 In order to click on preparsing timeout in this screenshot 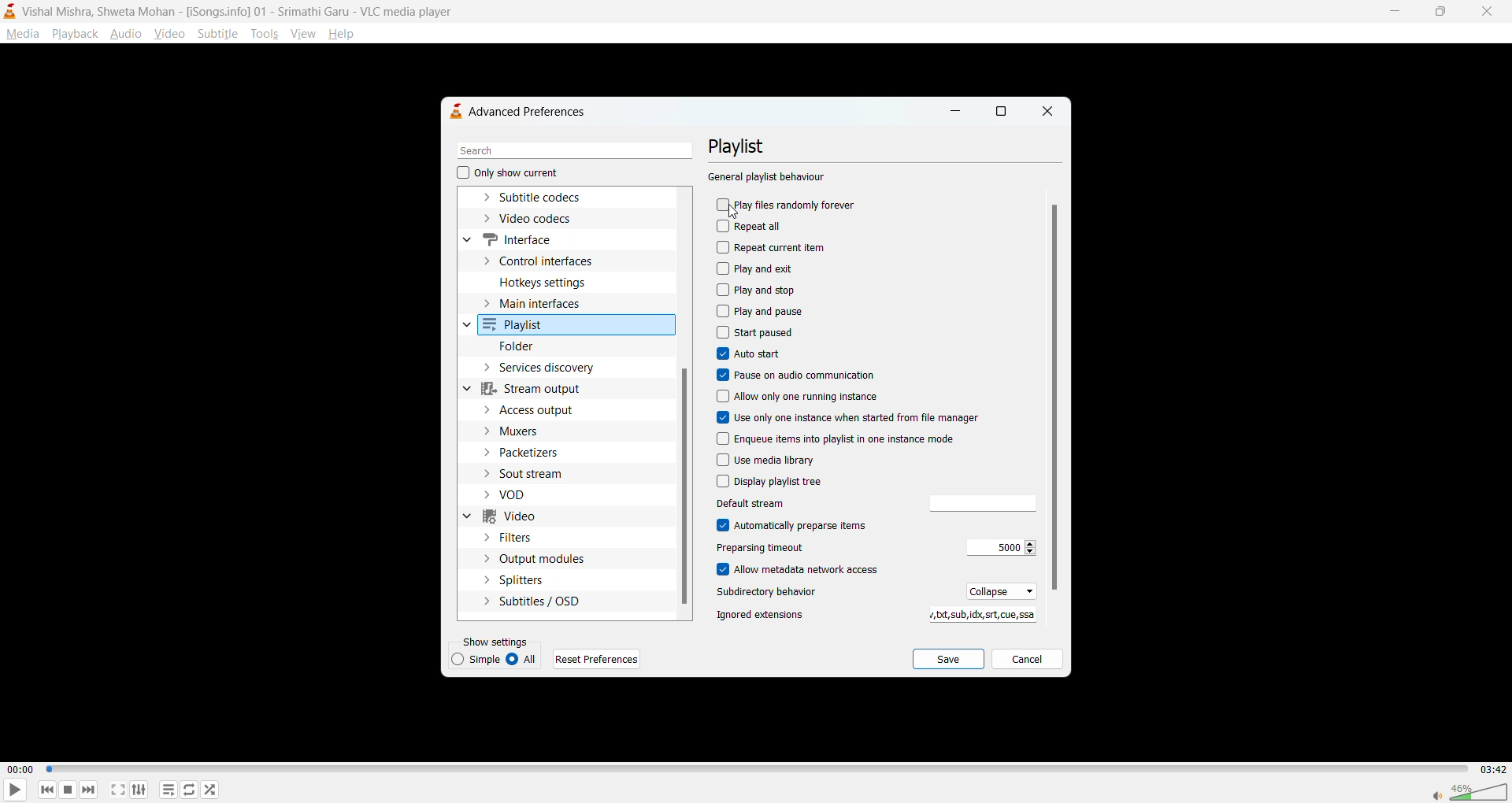, I will do `click(777, 549)`.